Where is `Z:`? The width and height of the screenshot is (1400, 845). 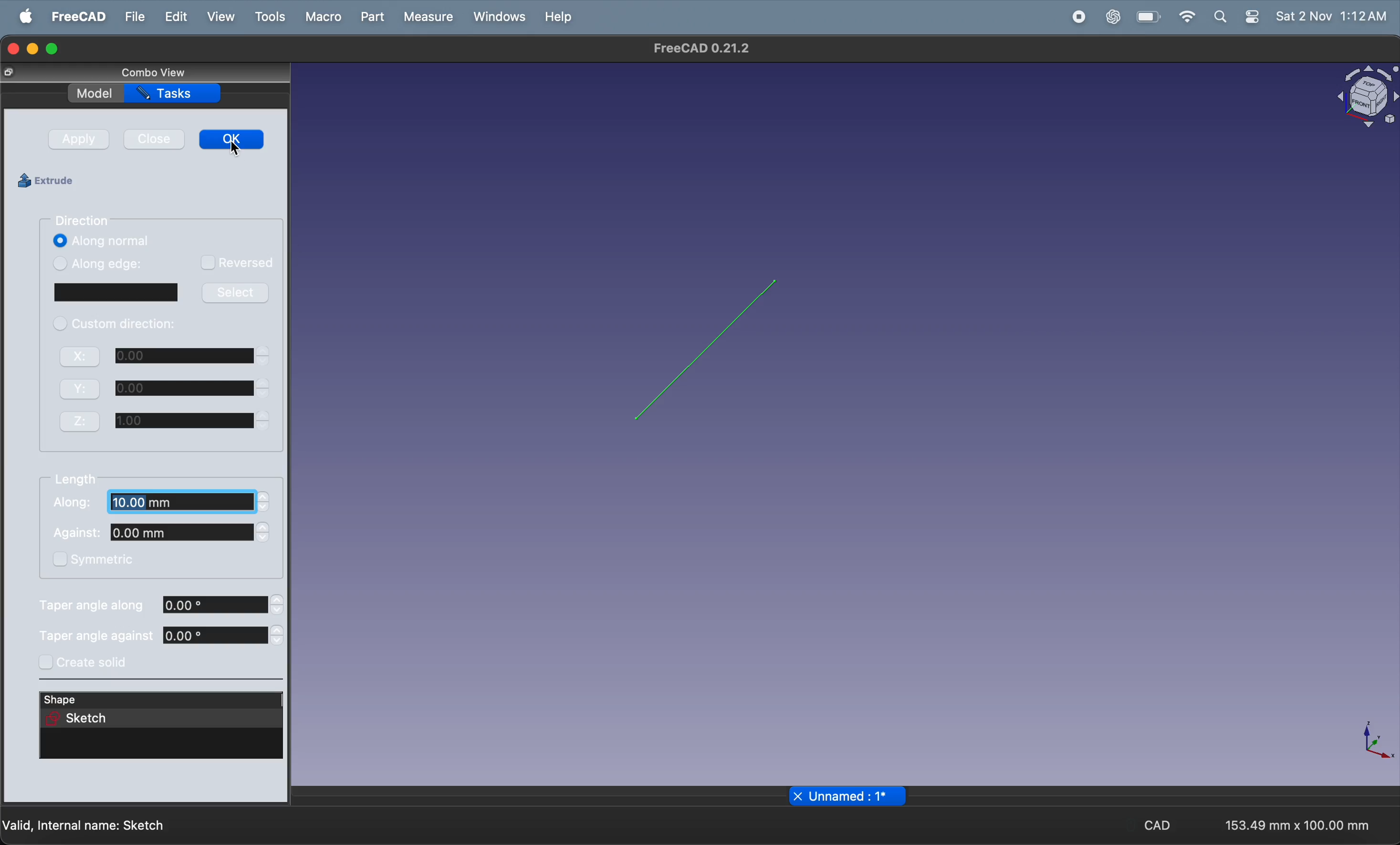
Z: is located at coordinates (82, 423).